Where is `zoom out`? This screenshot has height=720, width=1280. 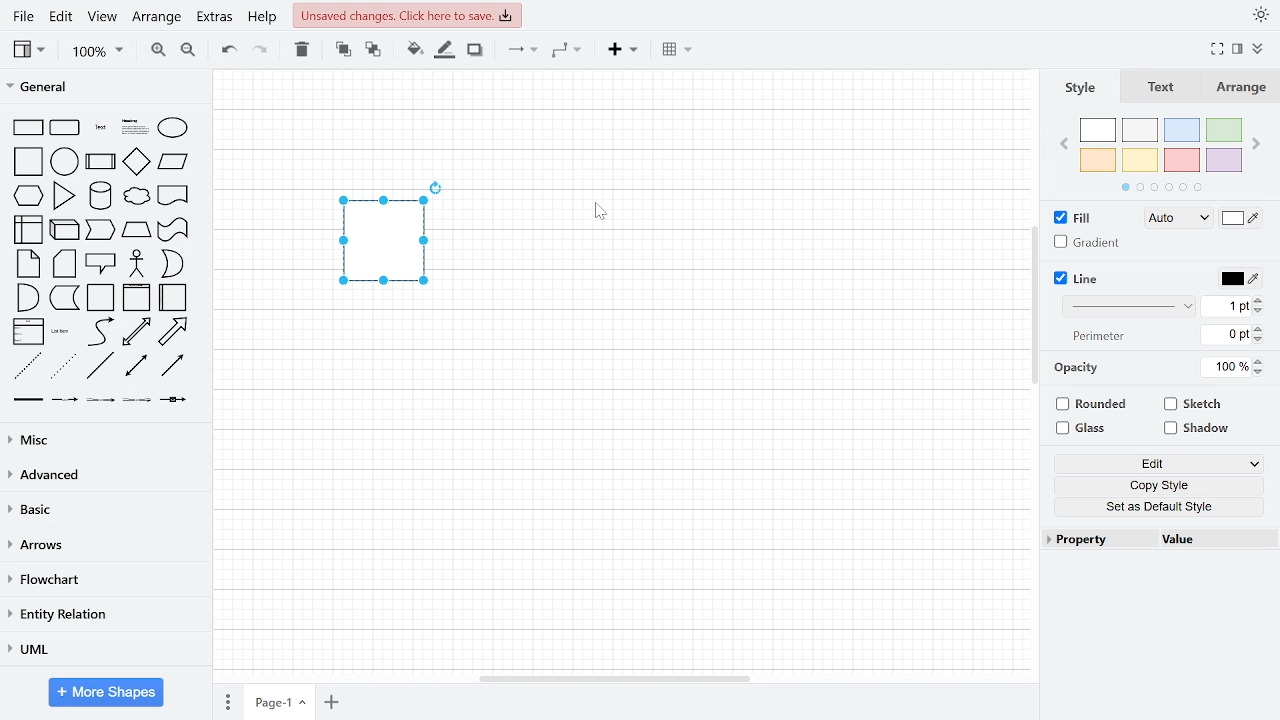 zoom out is located at coordinates (187, 49).